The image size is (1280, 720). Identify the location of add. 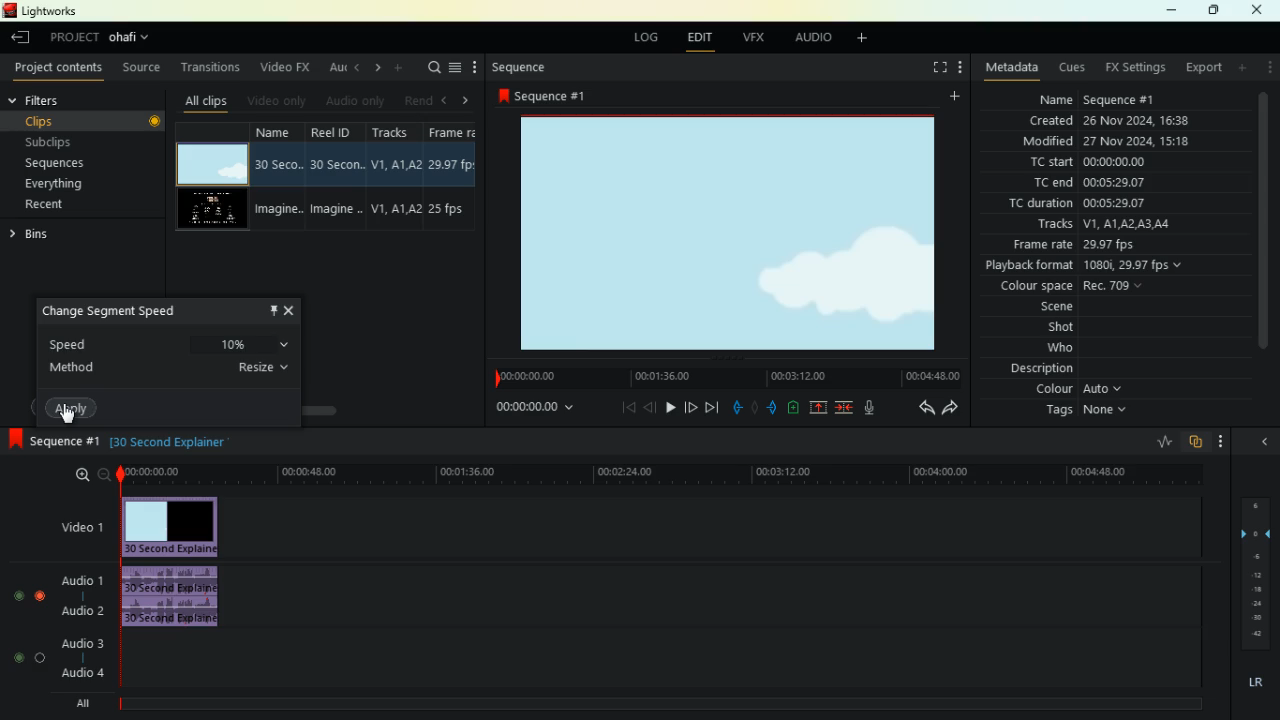
(1244, 67).